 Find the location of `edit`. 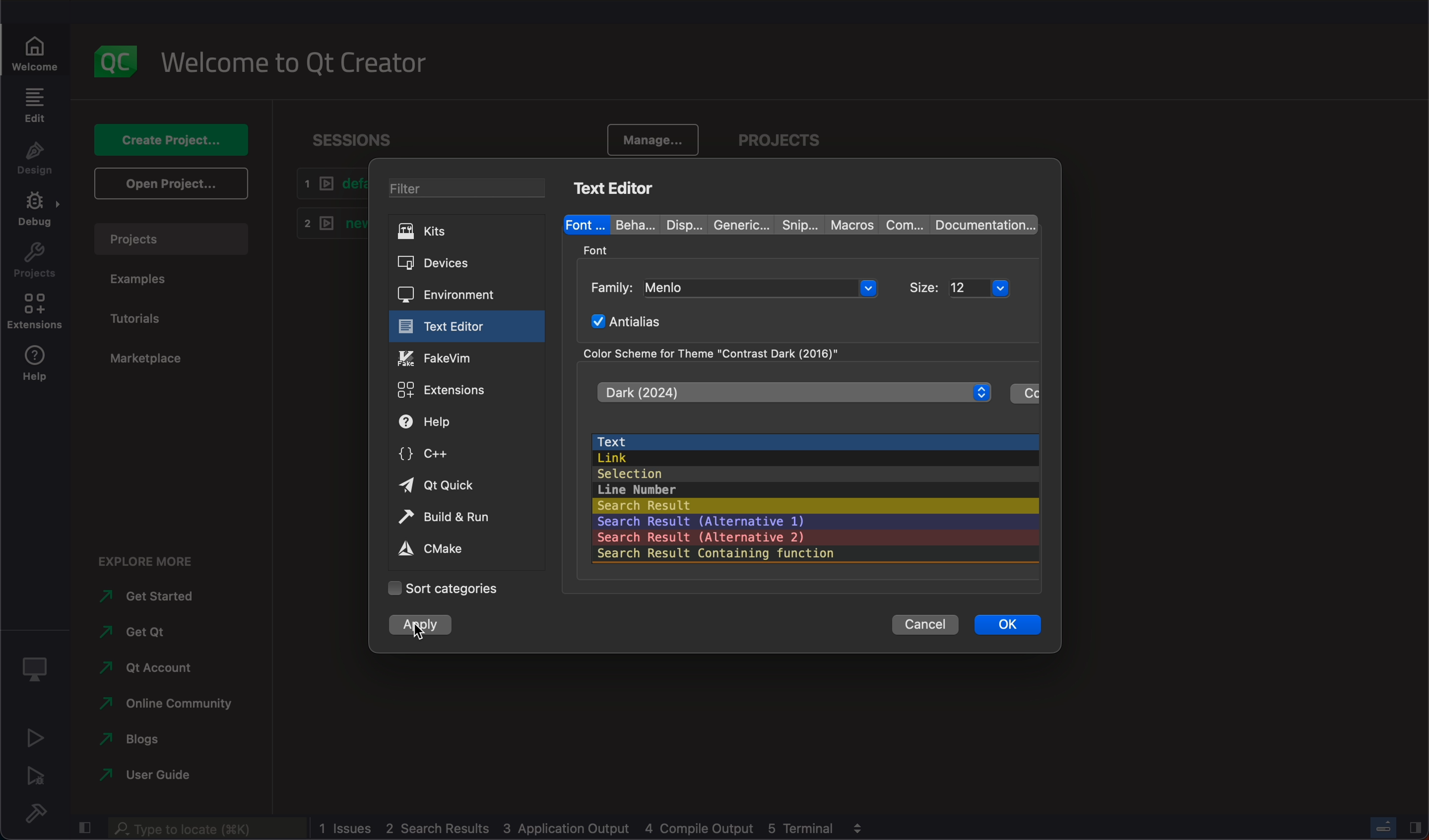

edit is located at coordinates (34, 106).